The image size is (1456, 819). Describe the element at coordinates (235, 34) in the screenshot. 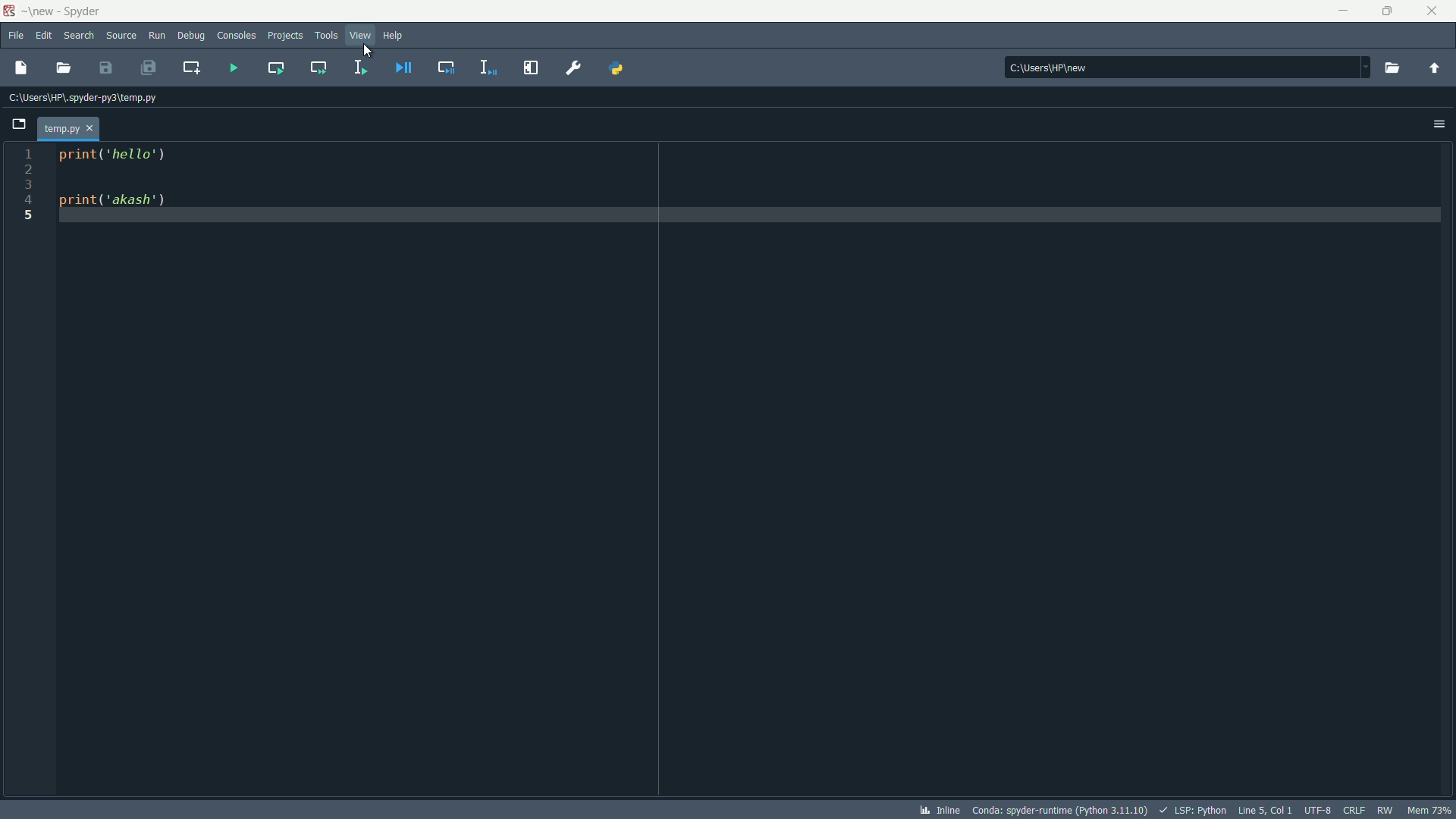

I see `consoles menu` at that location.